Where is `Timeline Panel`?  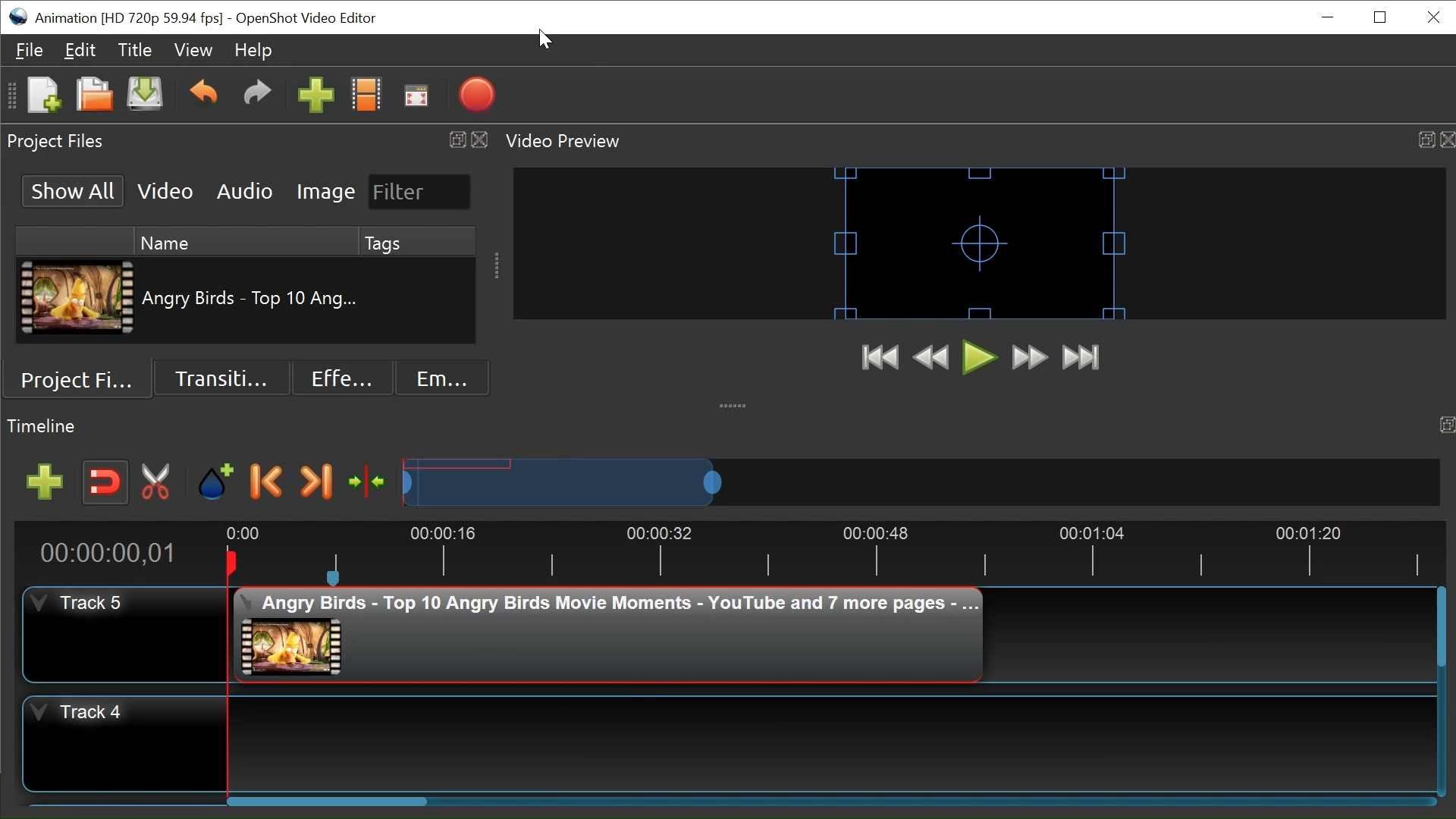
Timeline Panel is located at coordinates (728, 424).